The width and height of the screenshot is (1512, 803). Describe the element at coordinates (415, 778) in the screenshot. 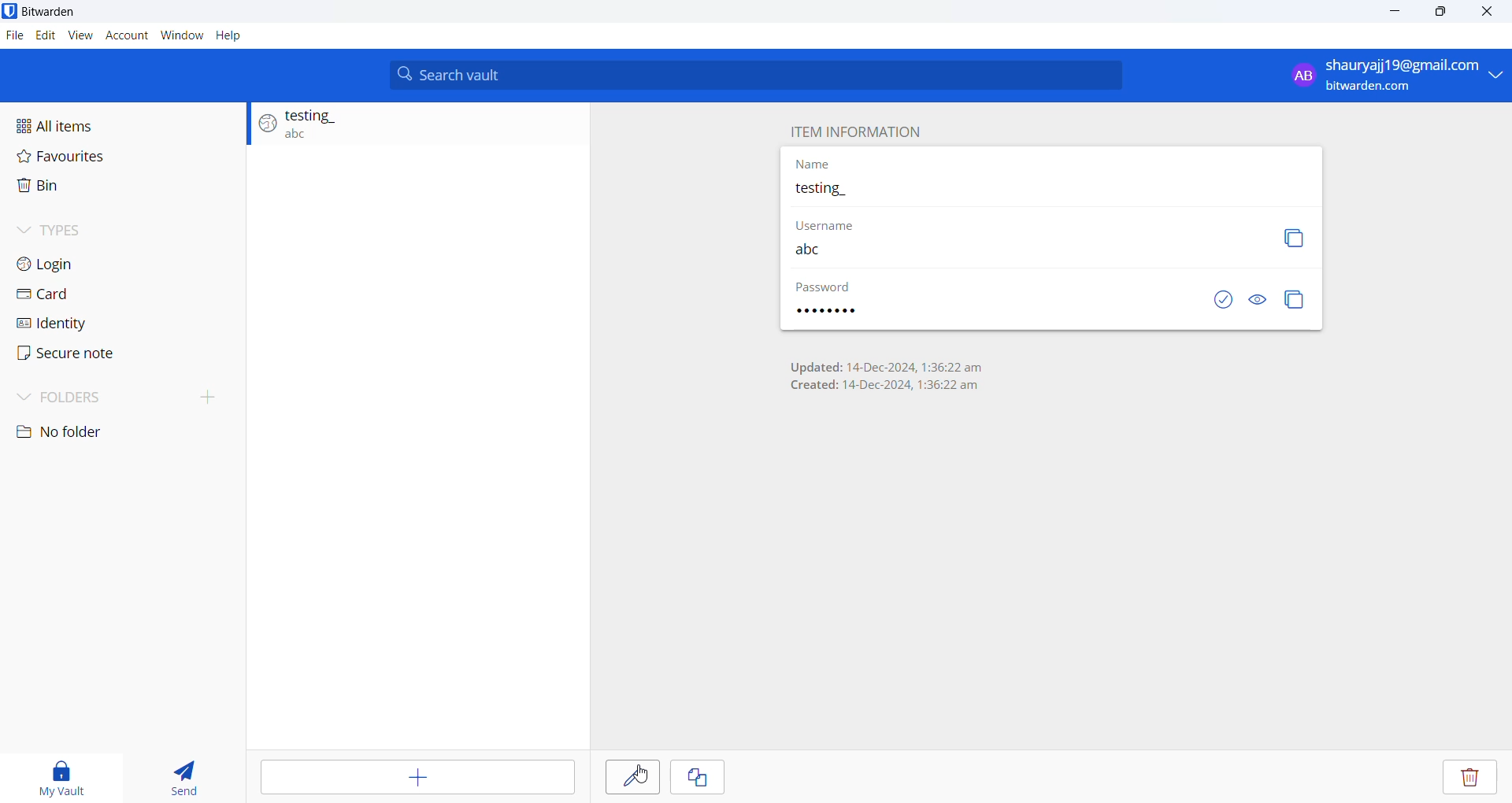

I see `Add item` at that location.